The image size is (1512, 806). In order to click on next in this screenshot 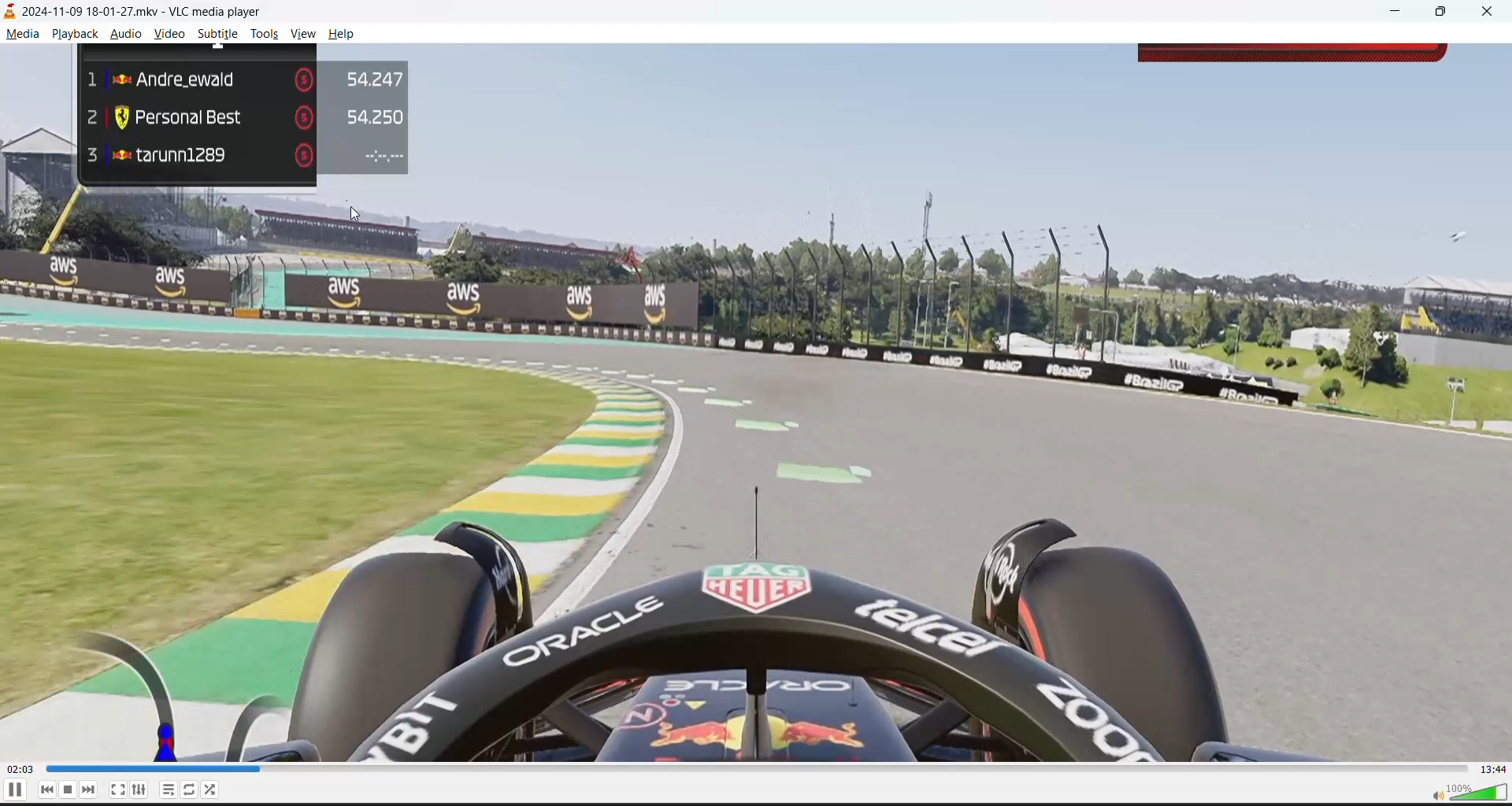, I will do `click(94, 789)`.